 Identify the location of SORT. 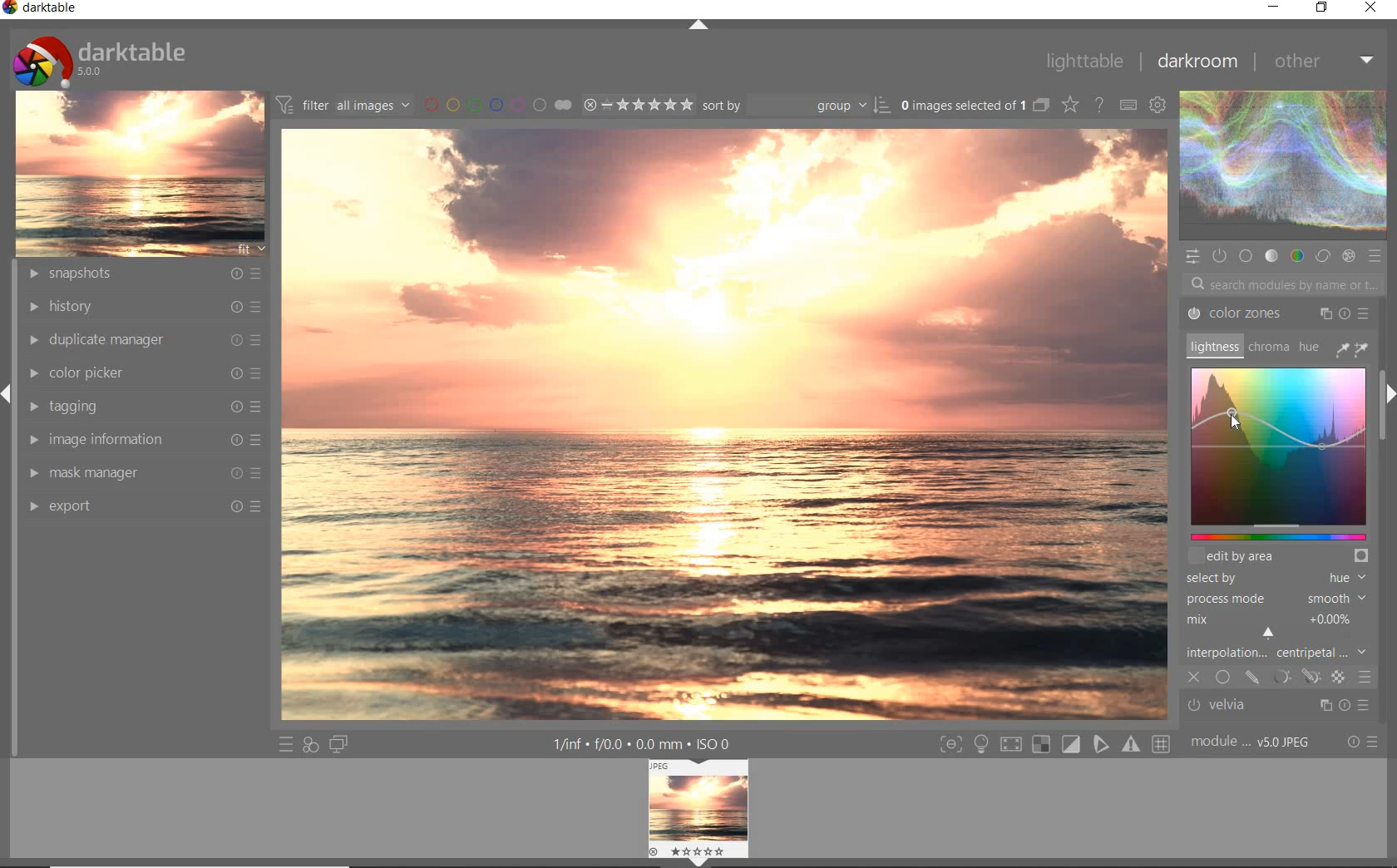
(795, 106).